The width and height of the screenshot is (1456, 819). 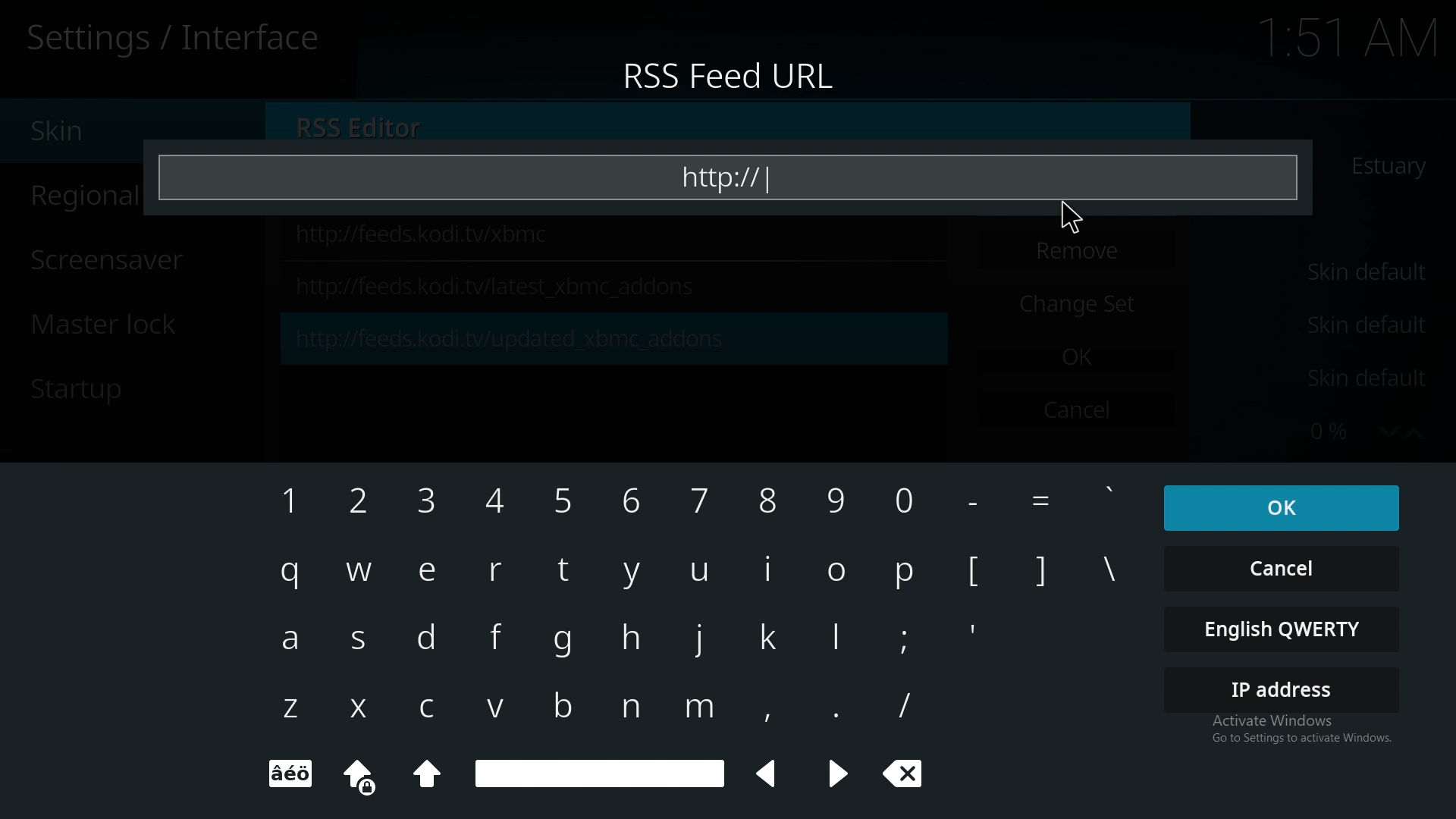 I want to click on https://, so click(x=739, y=176).